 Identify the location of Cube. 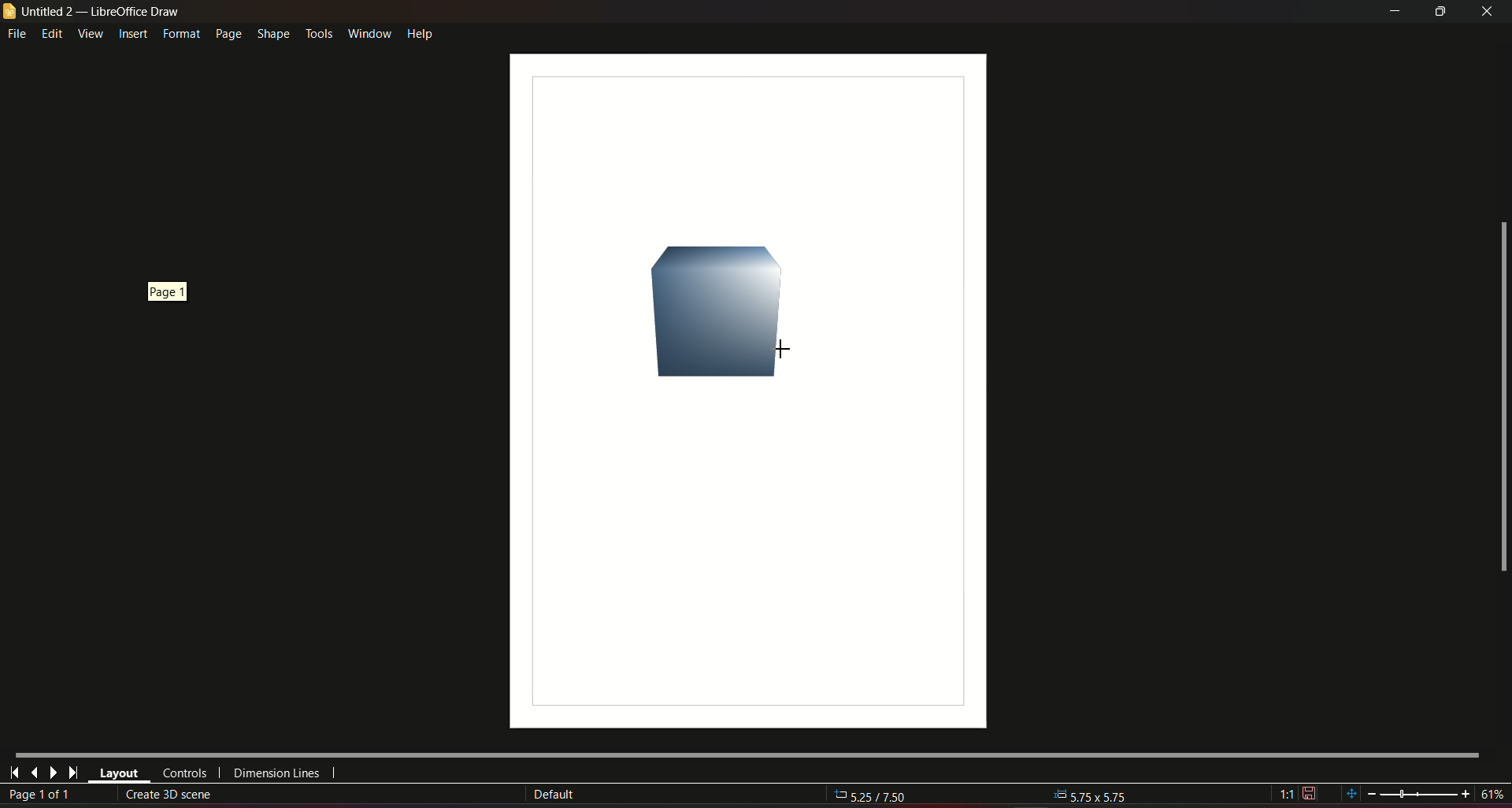
(717, 311).